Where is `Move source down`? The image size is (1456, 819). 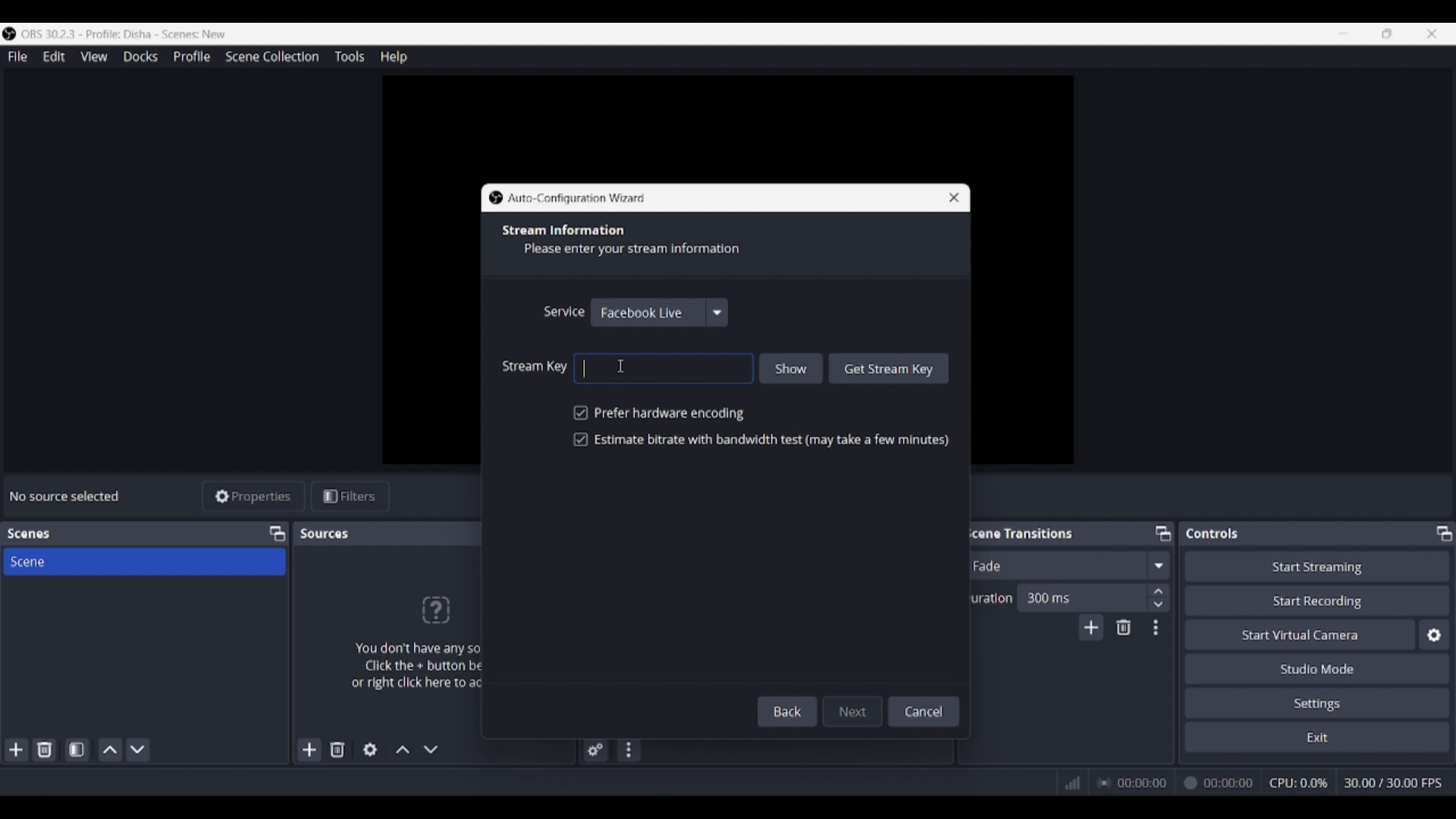
Move source down is located at coordinates (431, 749).